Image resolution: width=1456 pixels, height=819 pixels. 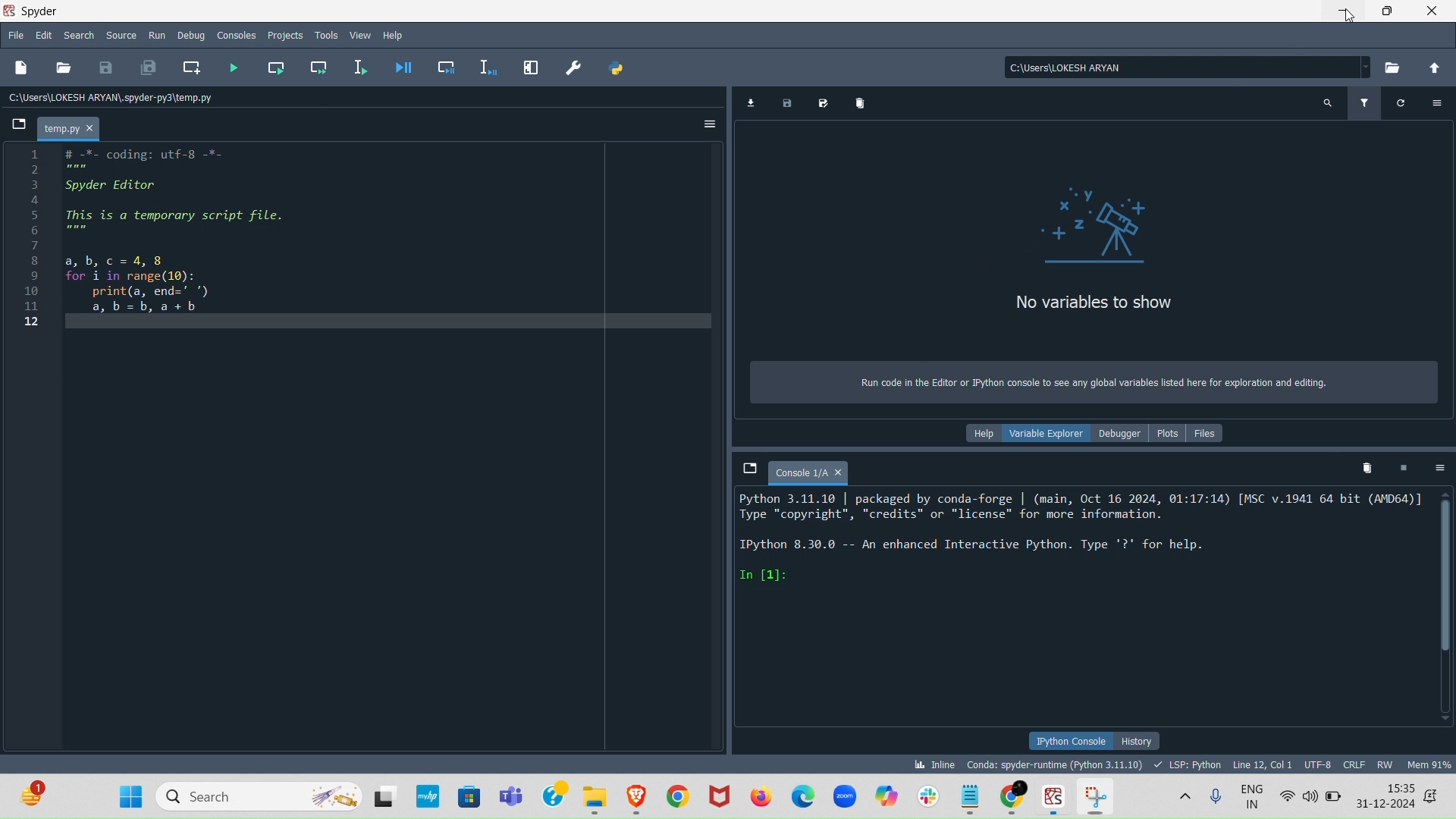 What do you see at coordinates (149, 67) in the screenshot?
I see `Save all files (Ctrl + Alt + S)` at bounding box center [149, 67].